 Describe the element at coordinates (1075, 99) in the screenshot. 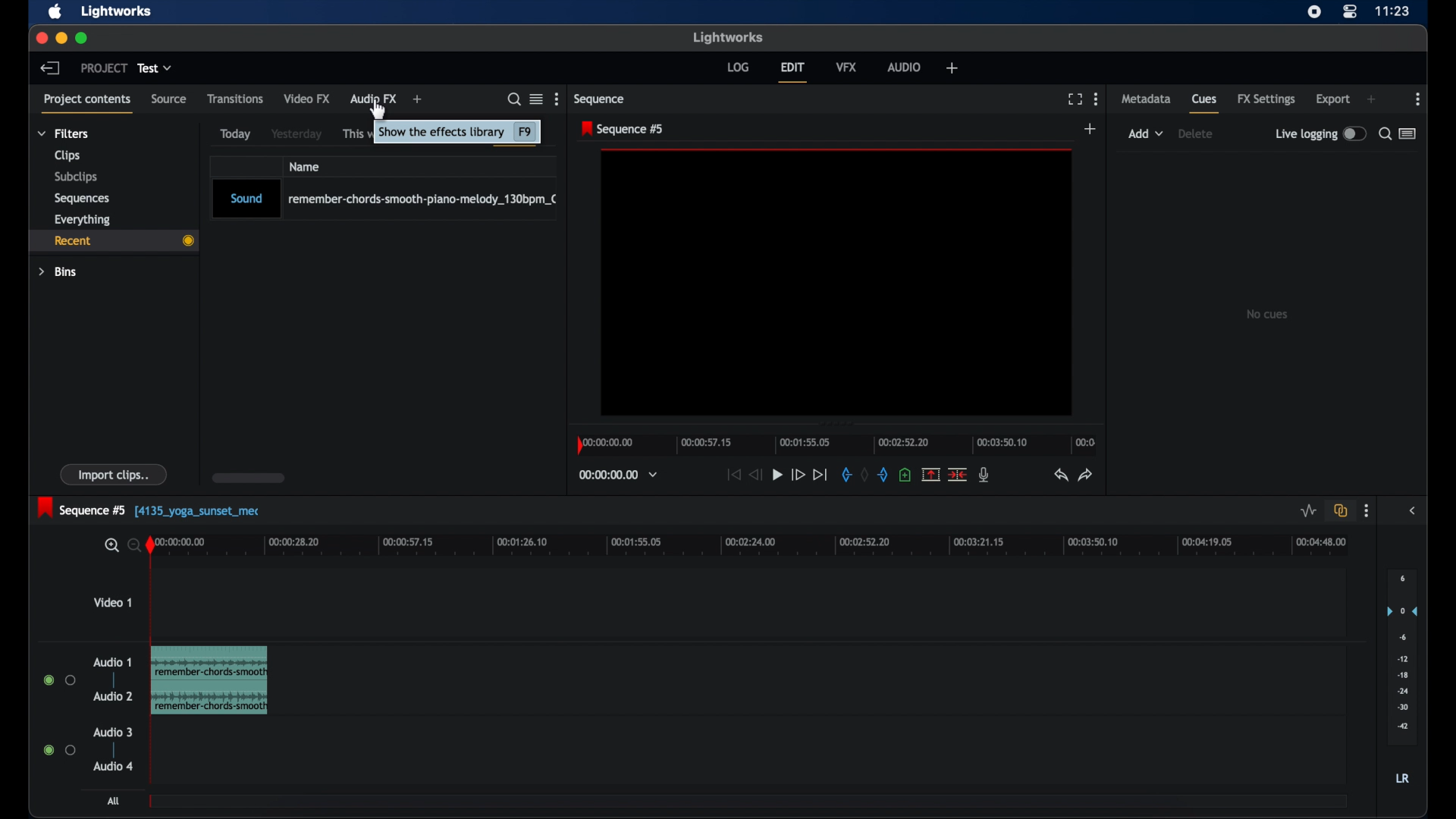

I see `full screen` at that location.